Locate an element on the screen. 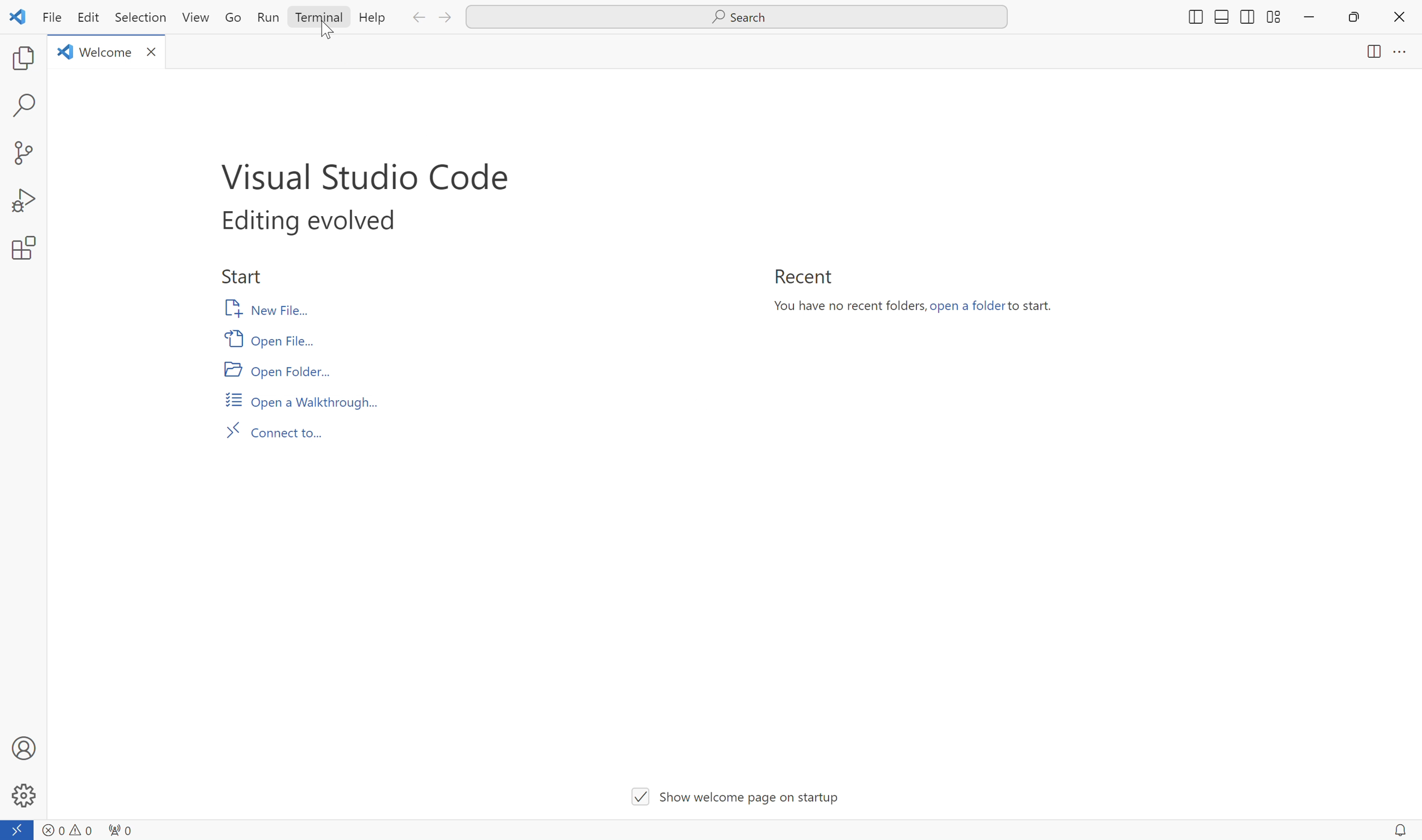 The width and height of the screenshot is (1422, 840). View is located at coordinates (197, 17).